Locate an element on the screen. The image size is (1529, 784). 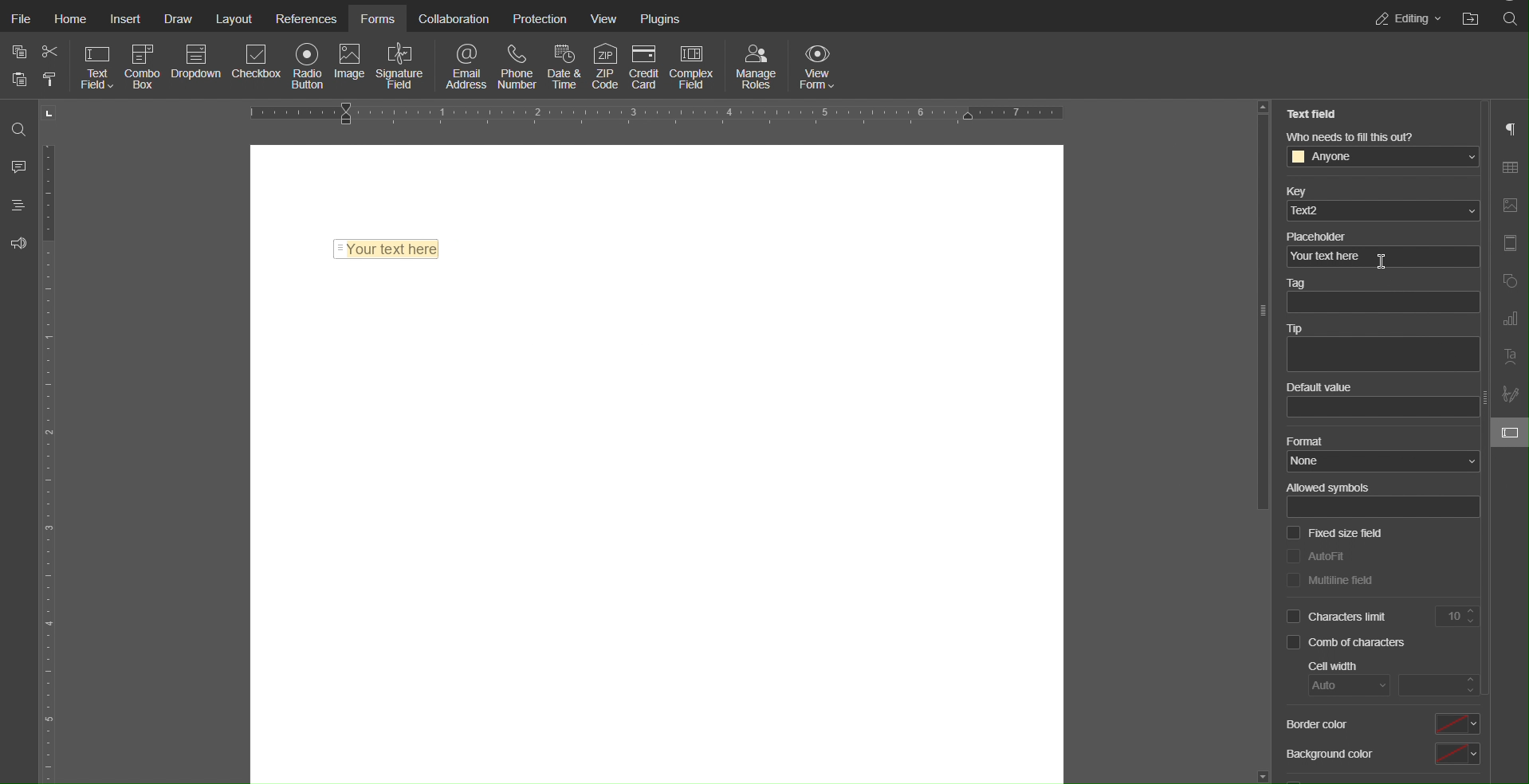
Comment is located at coordinates (19, 163).